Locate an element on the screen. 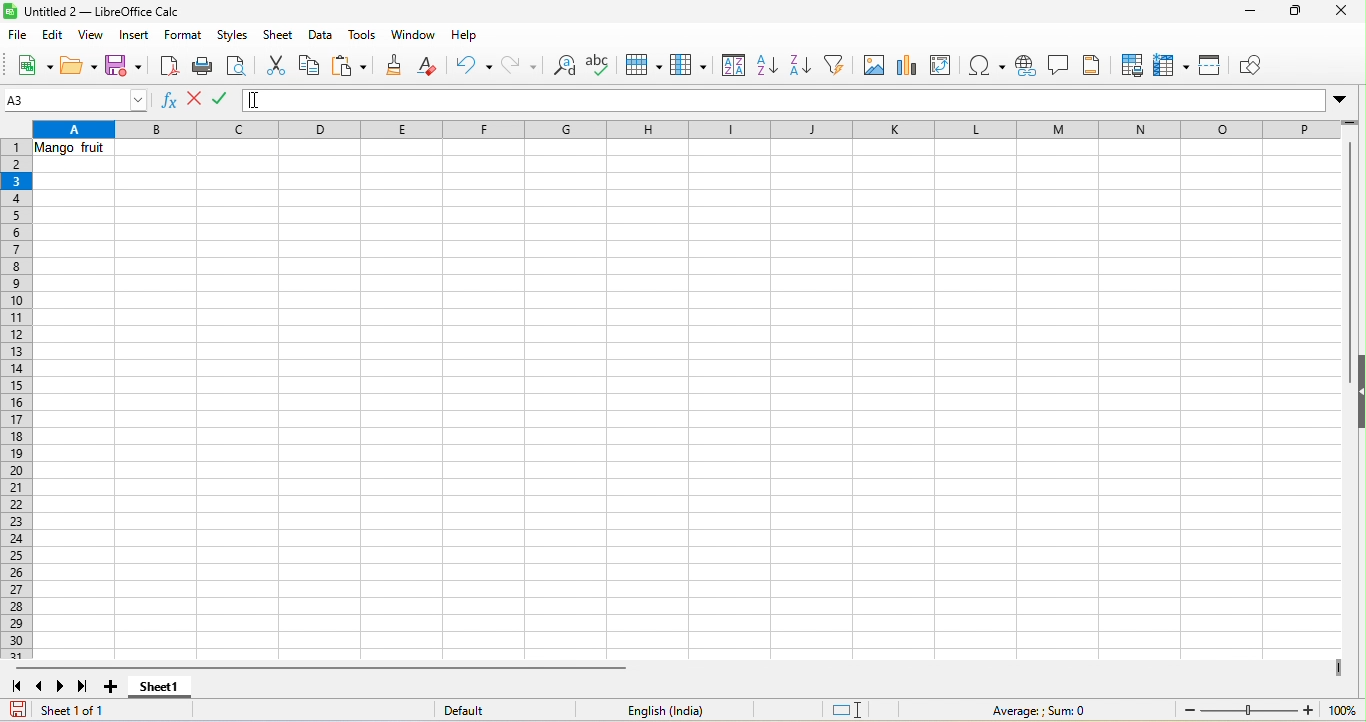  name box (a3) is located at coordinates (77, 100).